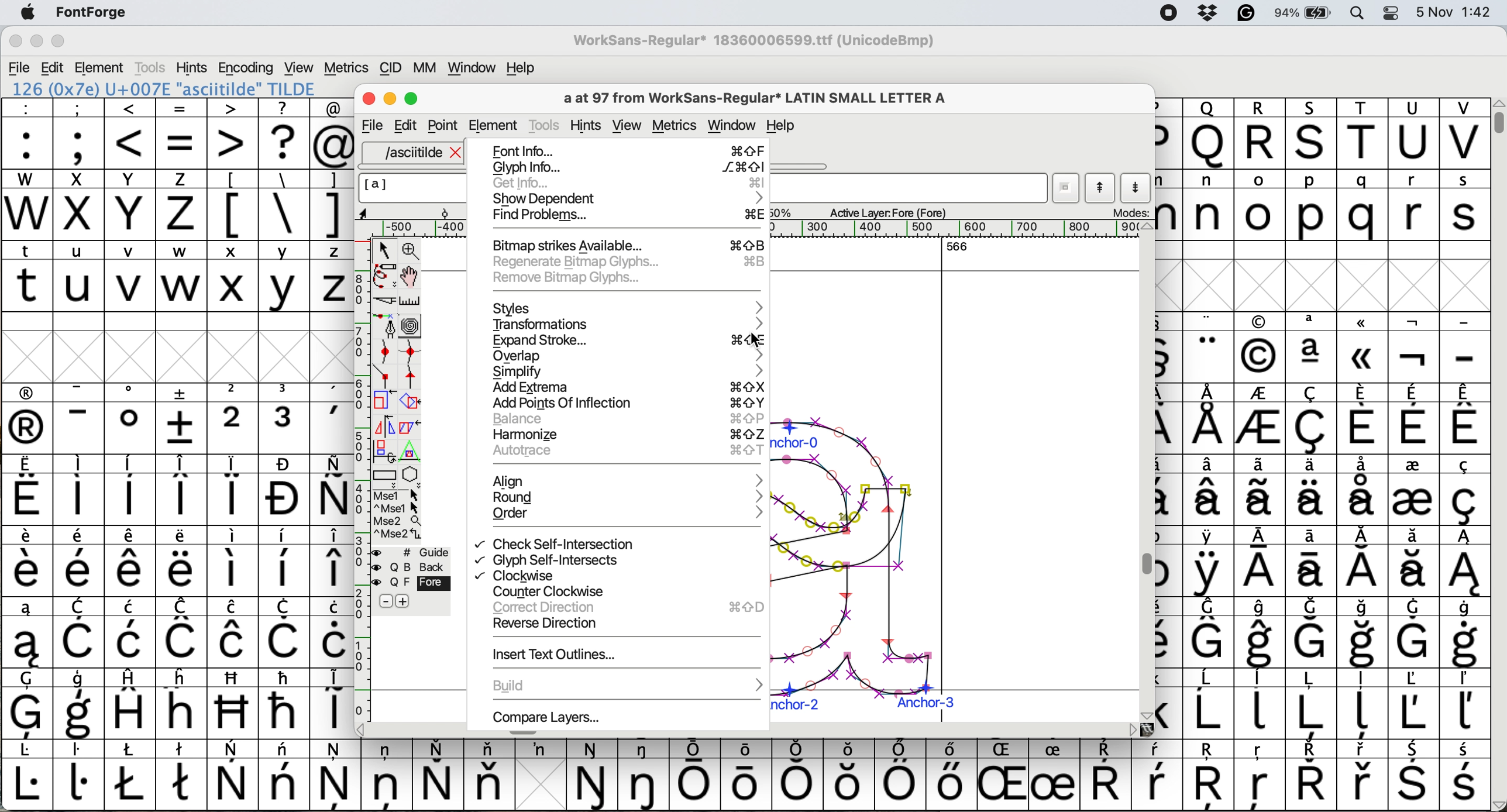 This screenshot has height=812, width=1507. Describe the element at coordinates (1208, 133) in the screenshot. I see `` at that location.